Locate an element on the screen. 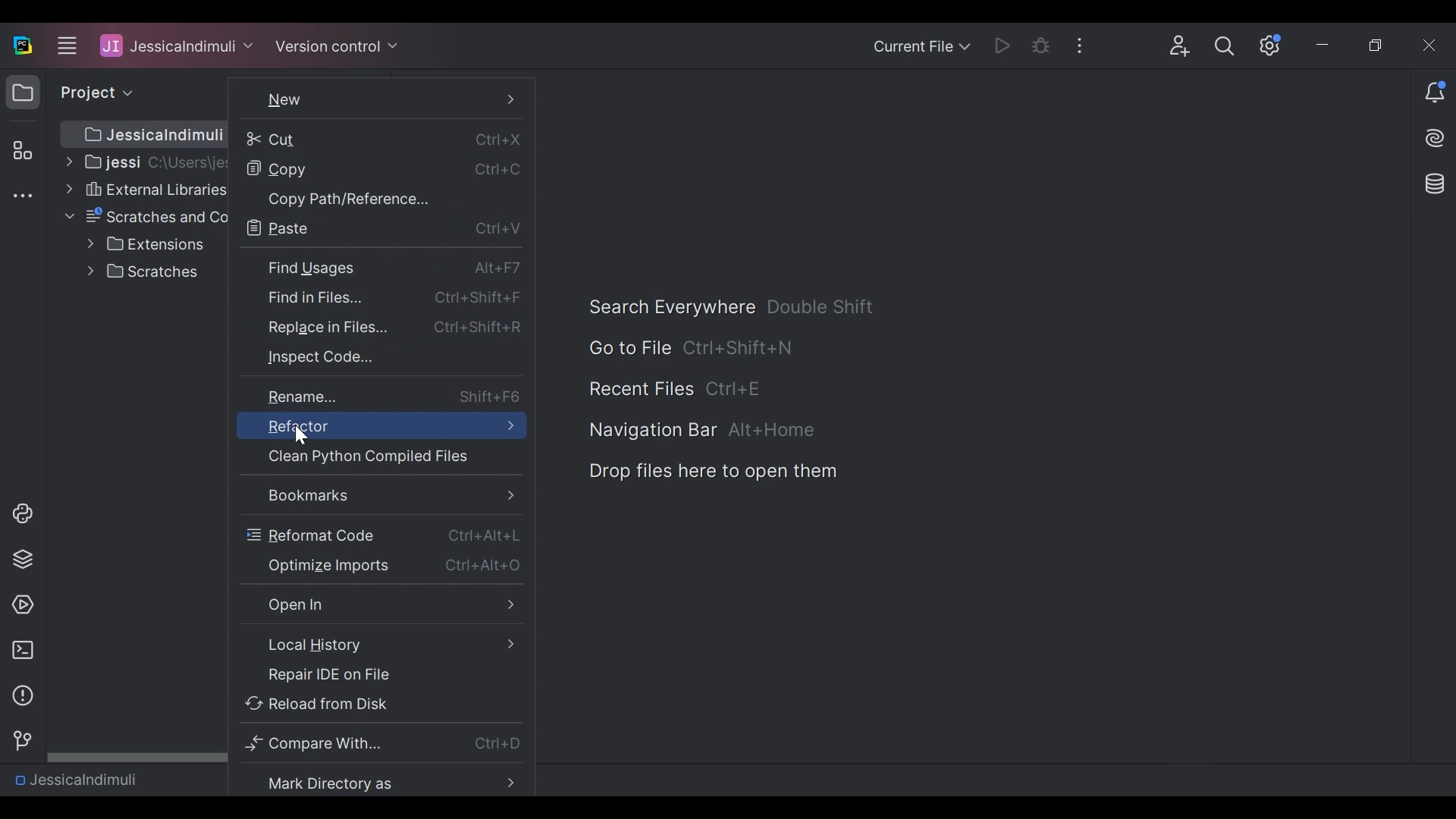 The image size is (1456, 819). layers is located at coordinates (22, 558).